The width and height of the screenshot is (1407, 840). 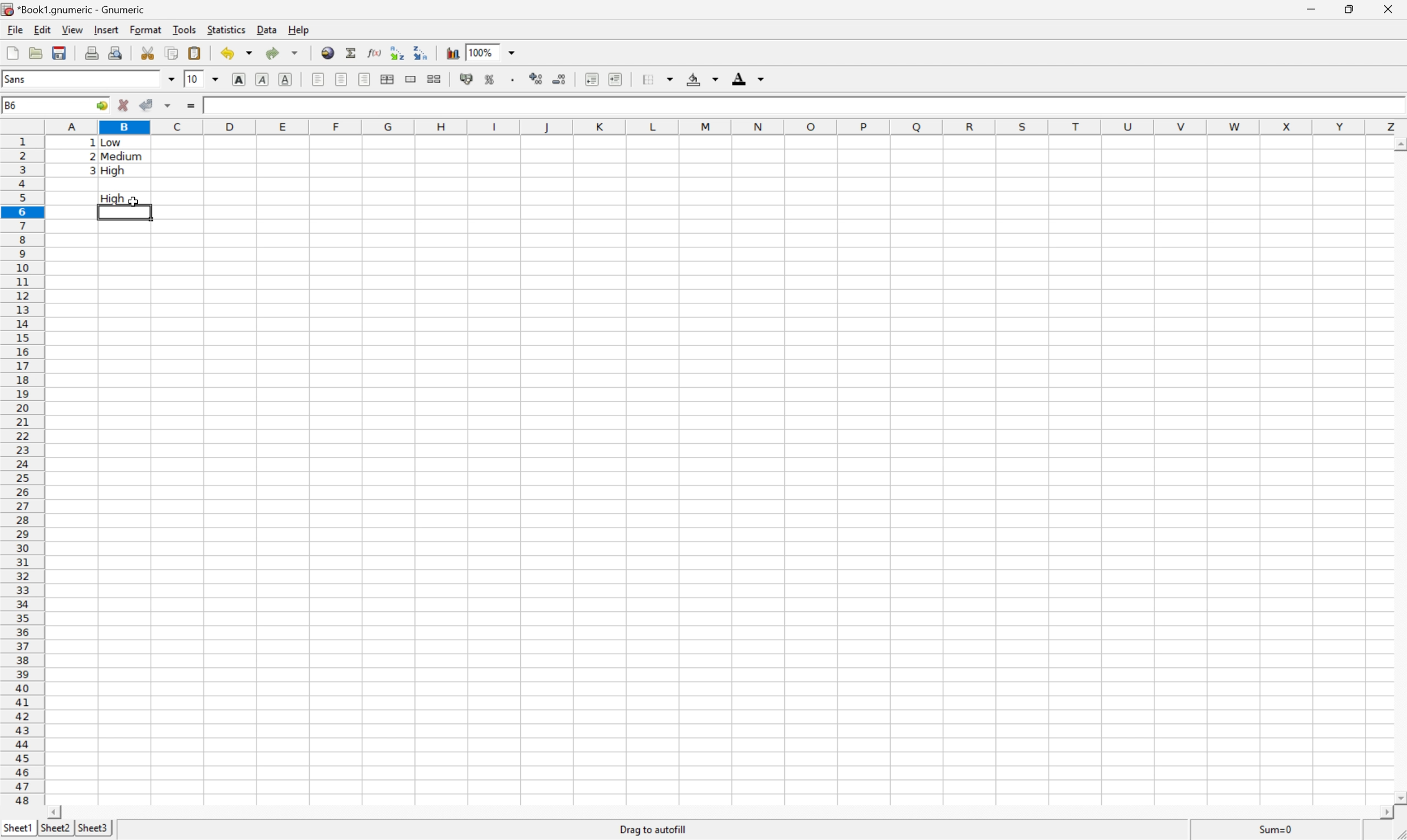 What do you see at coordinates (208, 106) in the screenshot?
I see `1` at bounding box center [208, 106].